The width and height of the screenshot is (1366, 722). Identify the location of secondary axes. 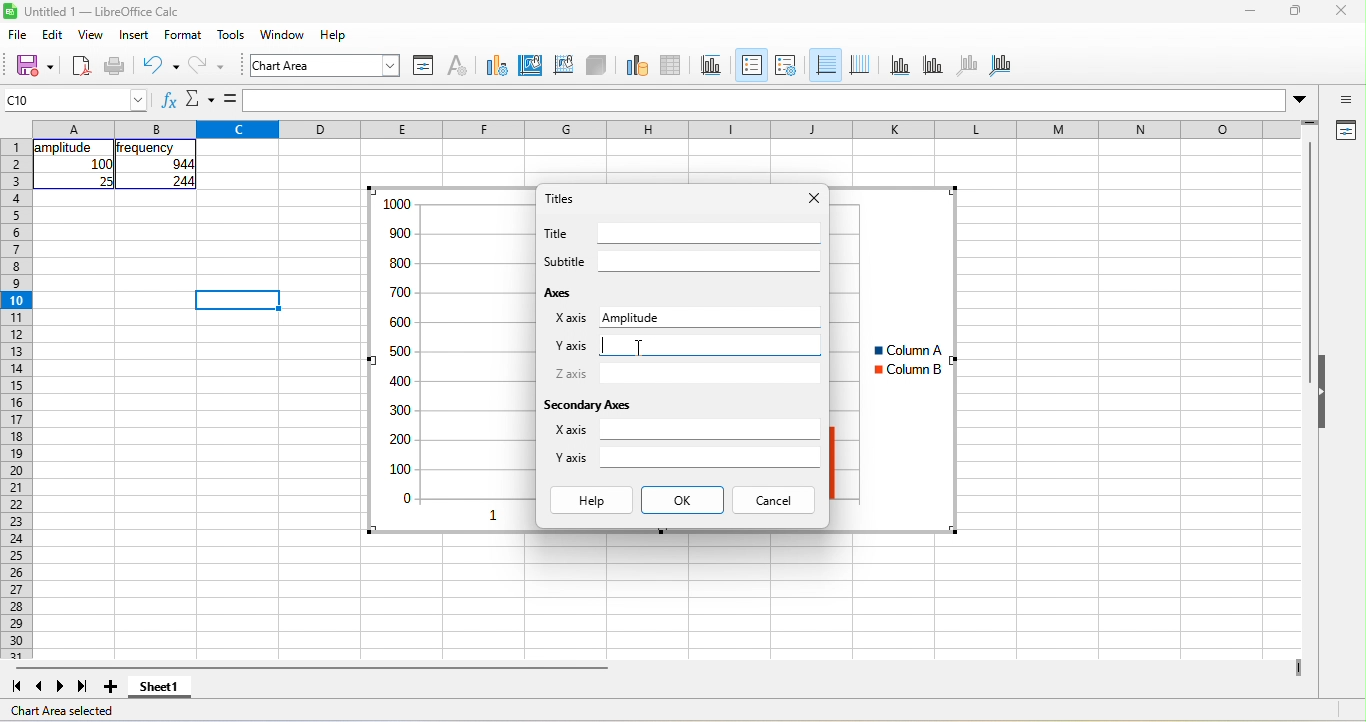
(586, 405).